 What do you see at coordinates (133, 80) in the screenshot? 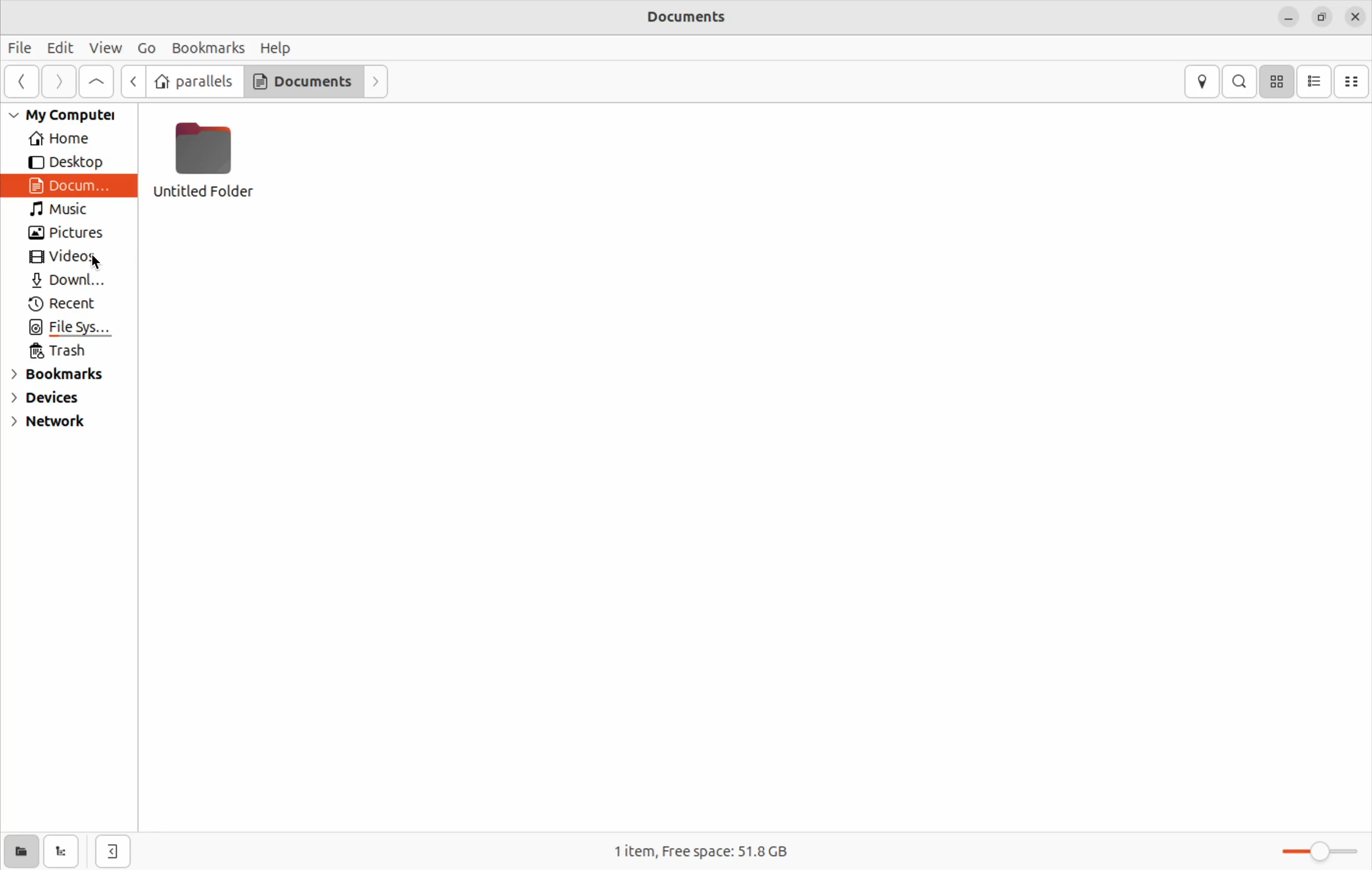
I see `Go up` at bounding box center [133, 80].